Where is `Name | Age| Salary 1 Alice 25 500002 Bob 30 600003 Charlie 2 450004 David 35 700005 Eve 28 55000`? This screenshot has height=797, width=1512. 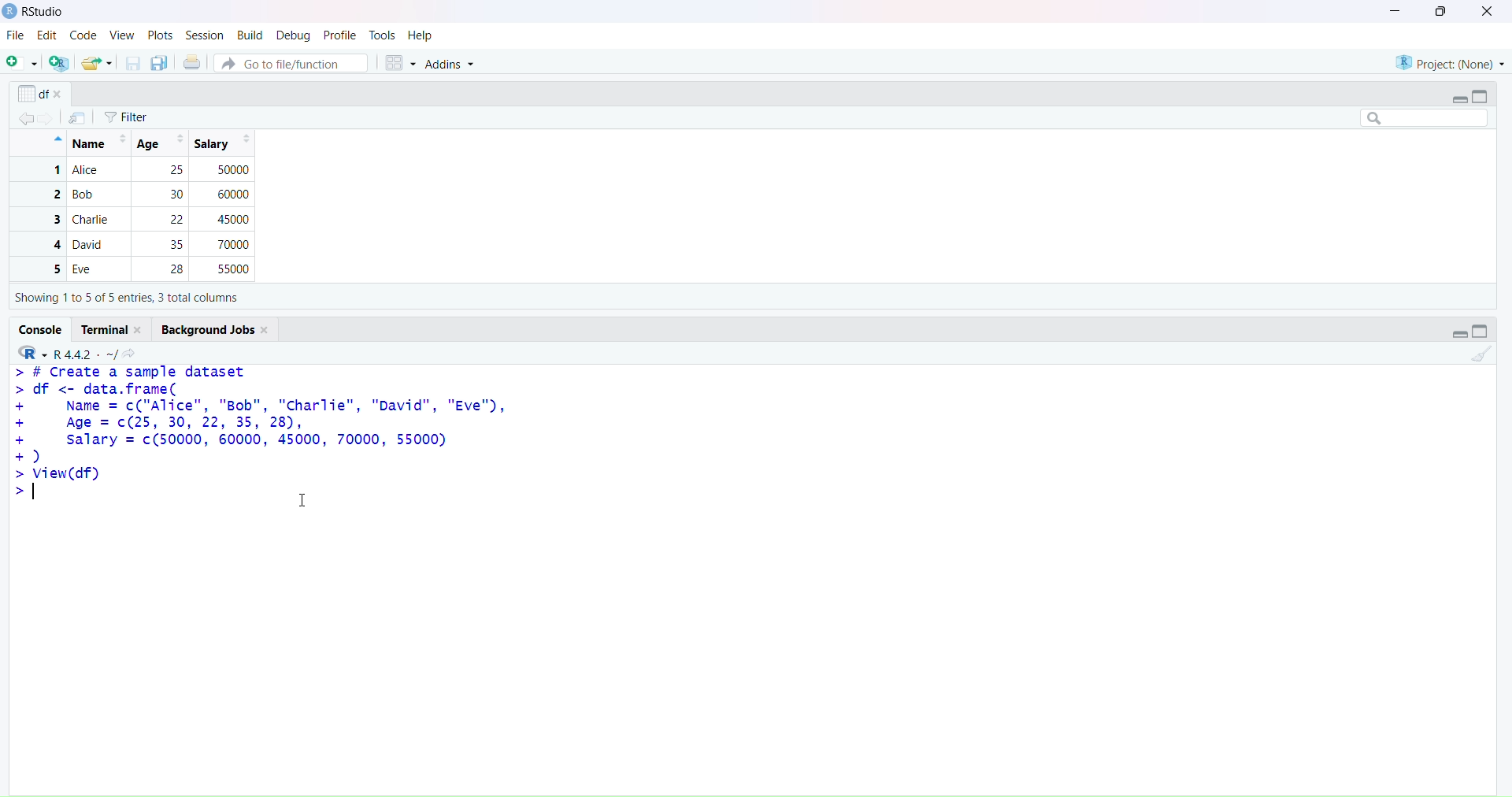
Name | Age| Salary 1 Alice 25 500002 Bob 30 600003 Charlie 2 450004 David 35 700005 Eve 28 55000 is located at coordinates (150, 205).